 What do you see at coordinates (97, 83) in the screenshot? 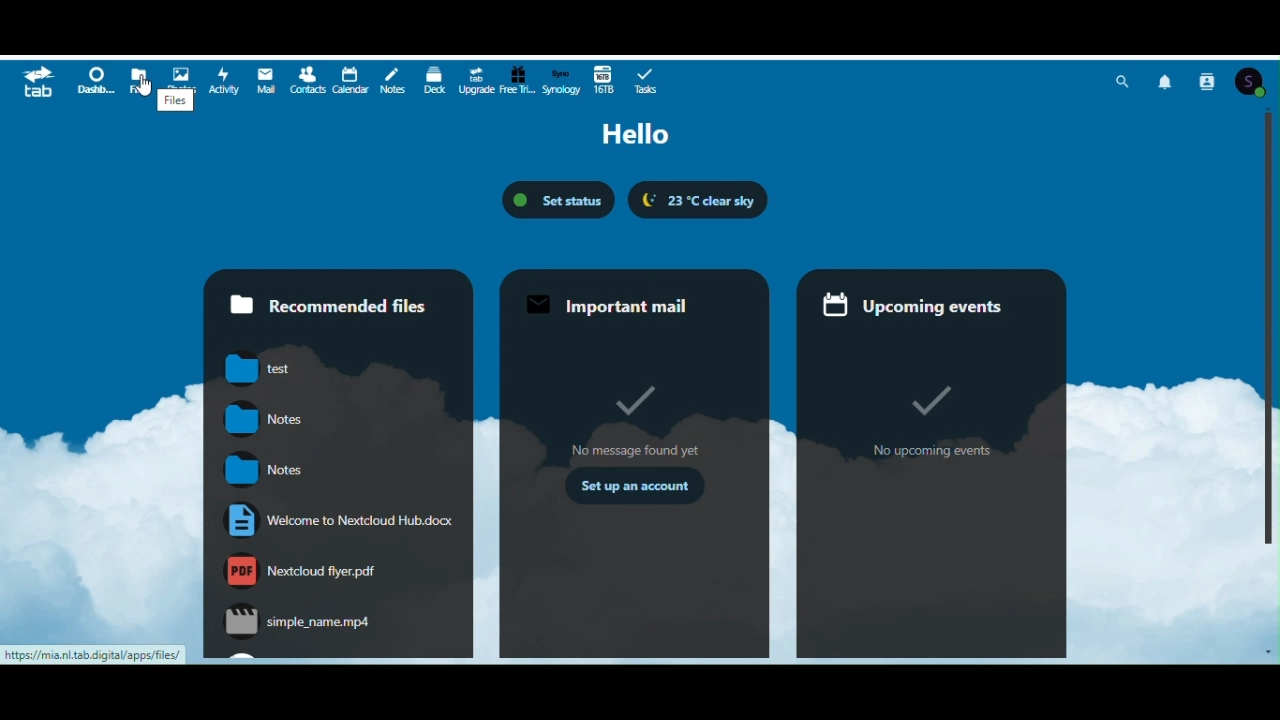
I see `Dashboard` at bounding box center [97, 83].